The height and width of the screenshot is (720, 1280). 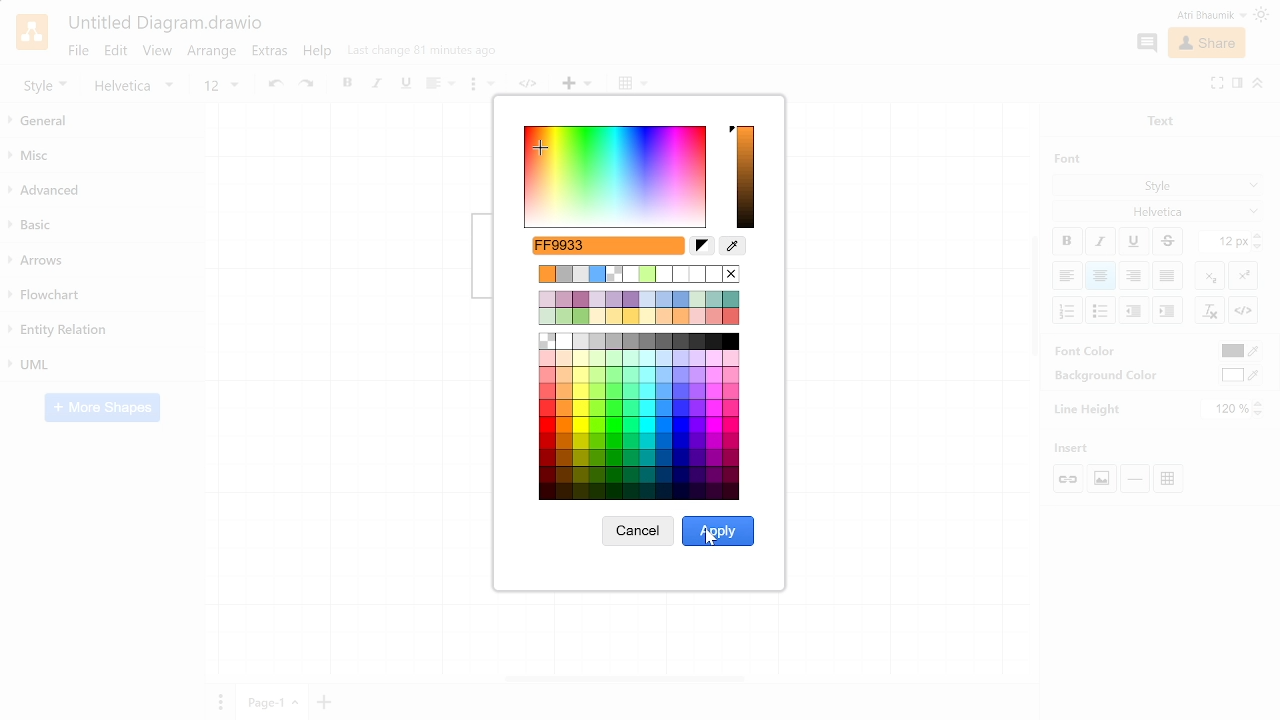 I want to click on Allign left, so click(x=1066, y=275).